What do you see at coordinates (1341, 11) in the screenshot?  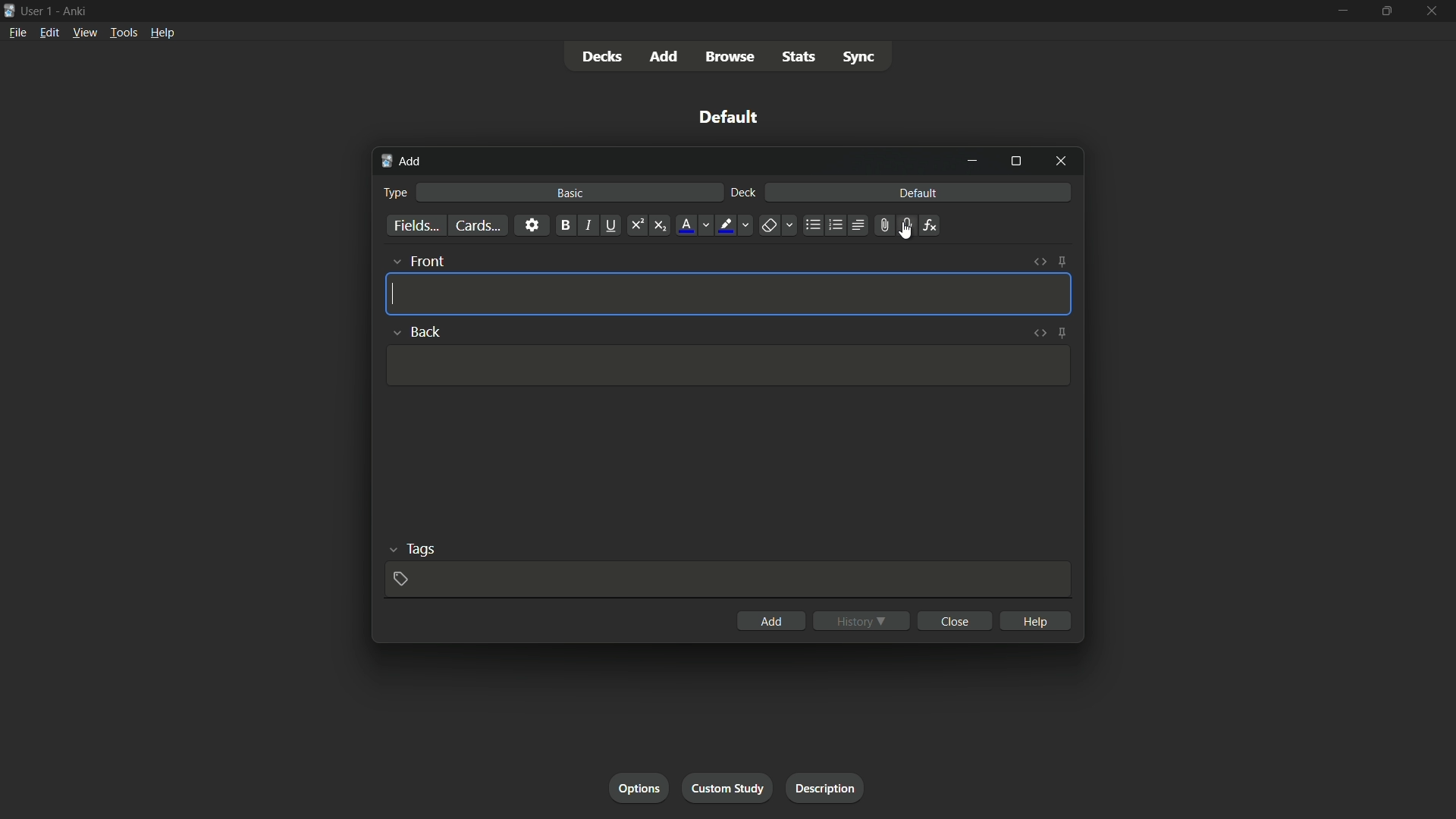 I see `minimize` at bounding box center [1341, 11].